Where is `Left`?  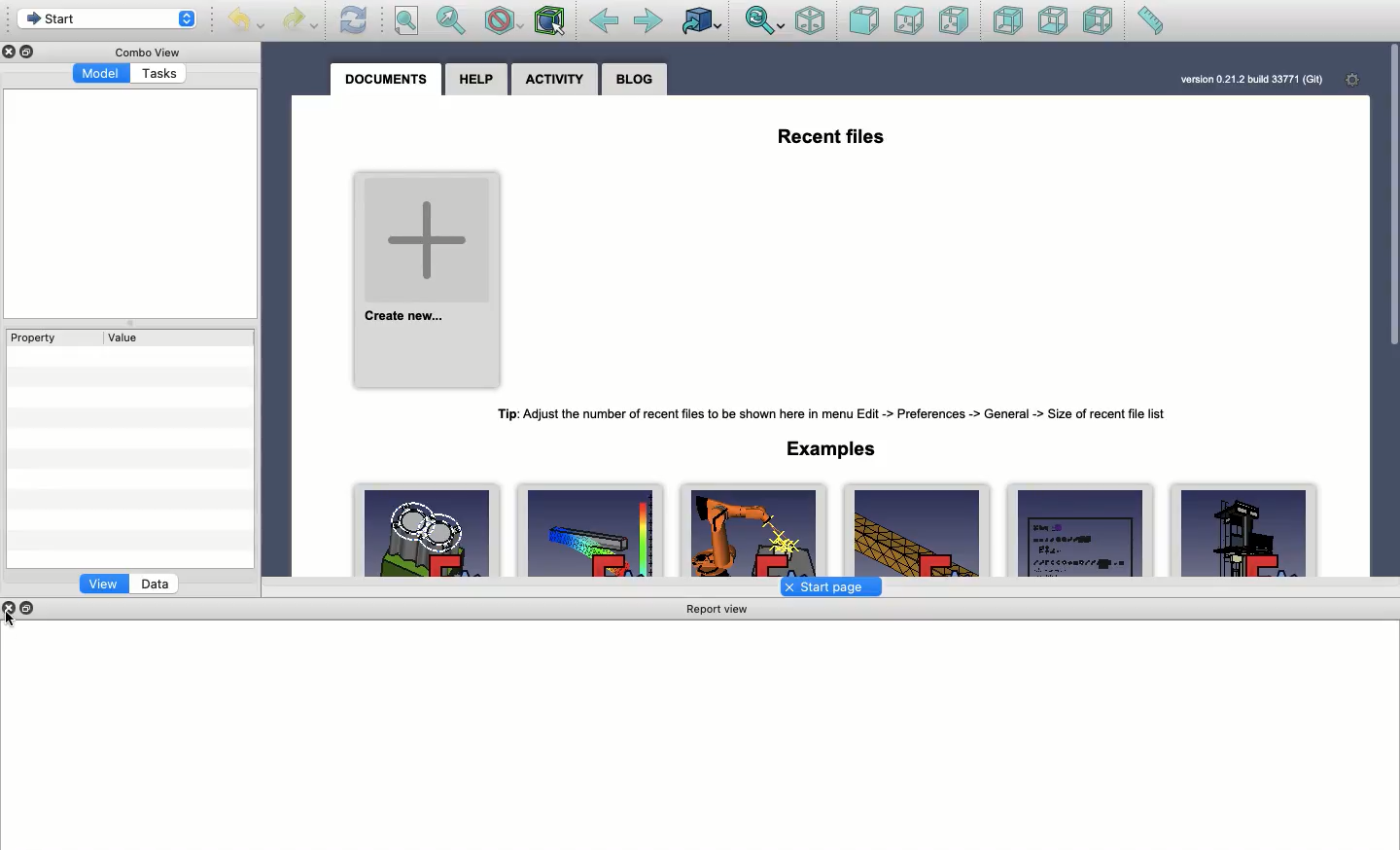
Left is located at coordinates (1100, 23).